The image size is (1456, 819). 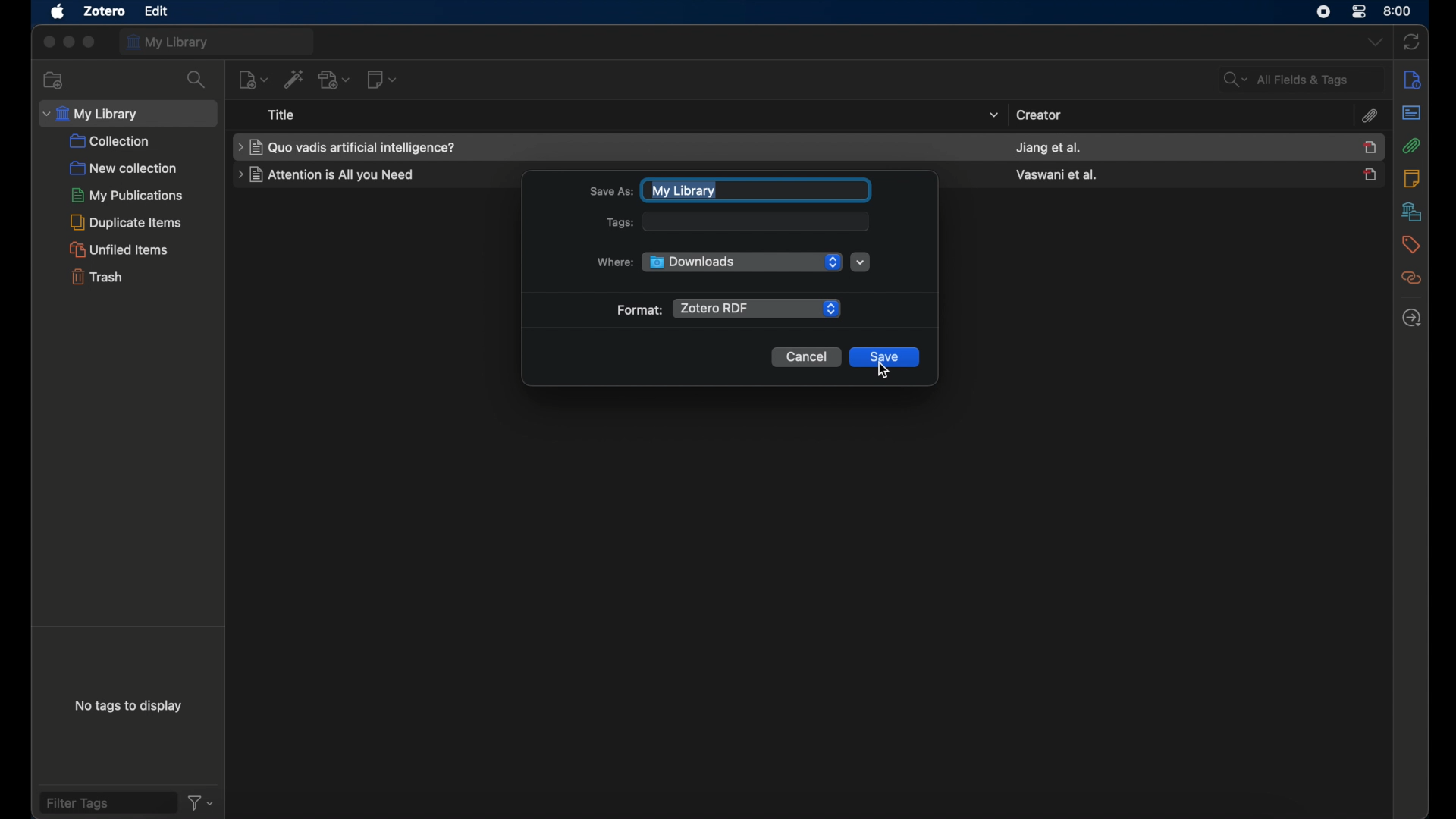 I want to click on abstract, so click(x=1410, y=112).